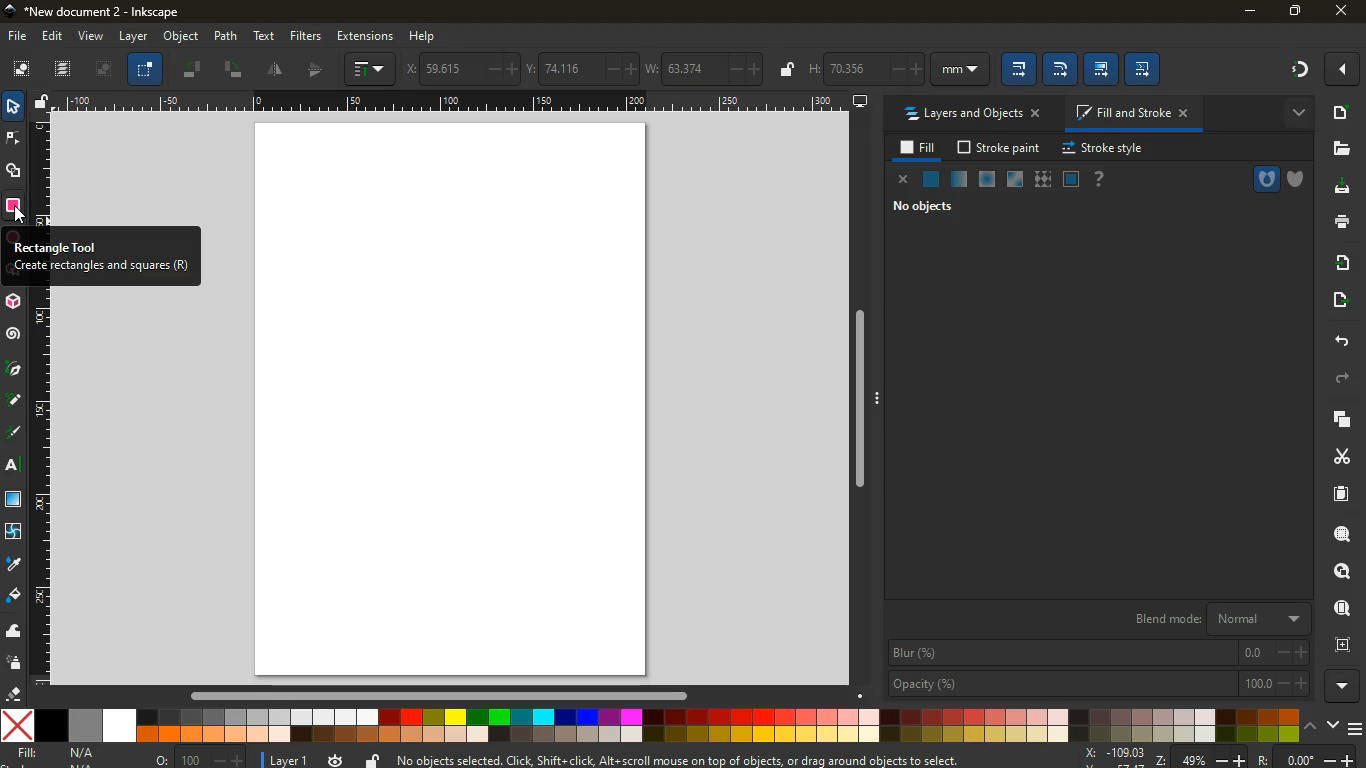 This screenshot has height=768, width=1366. Describe the element at coordinates (1020, 70) in the screenshot. I see `edit` at that location.